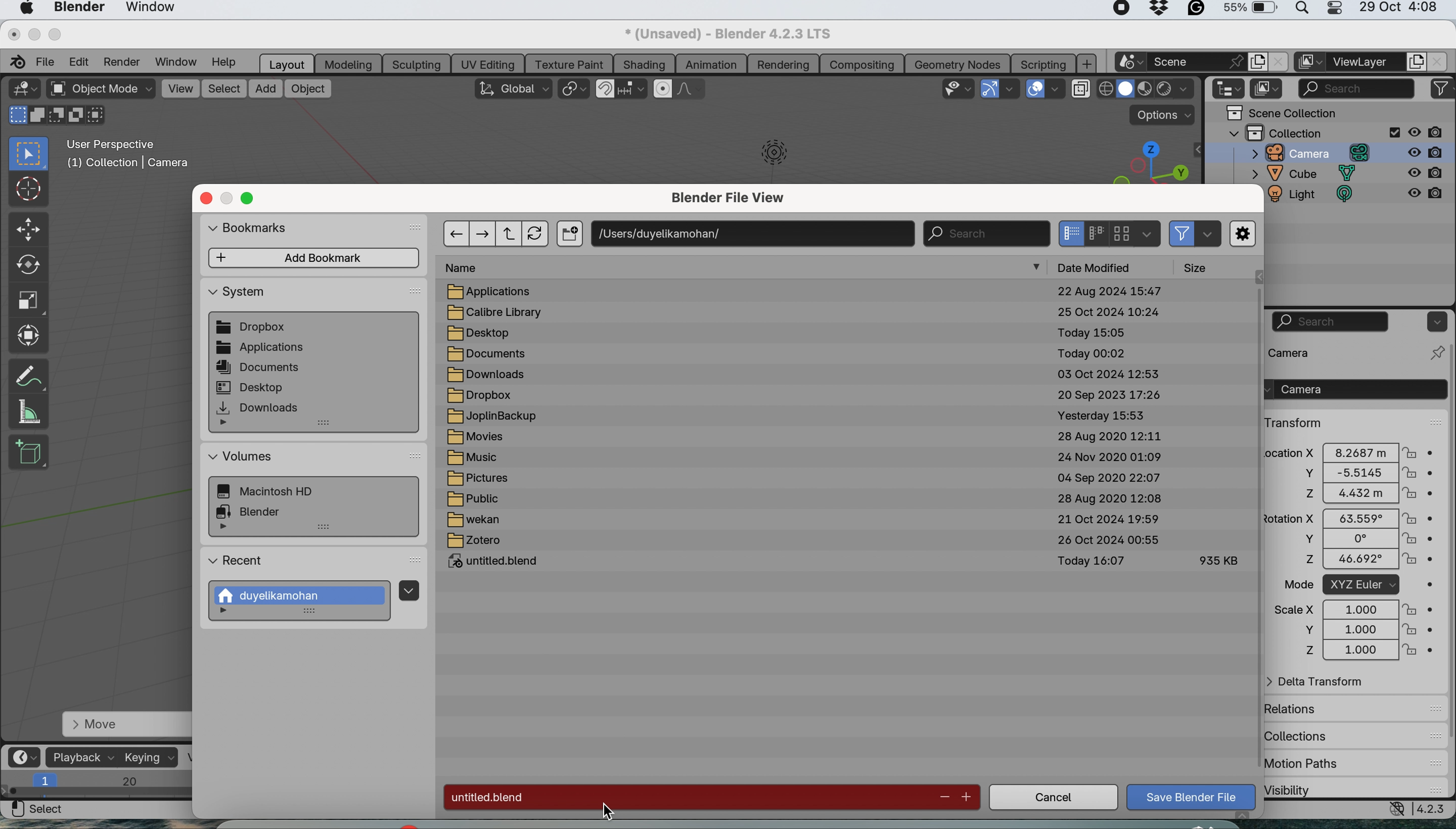 The width and height of the screenshot is (1456, 829). I want to click on system, so click(237, 295).